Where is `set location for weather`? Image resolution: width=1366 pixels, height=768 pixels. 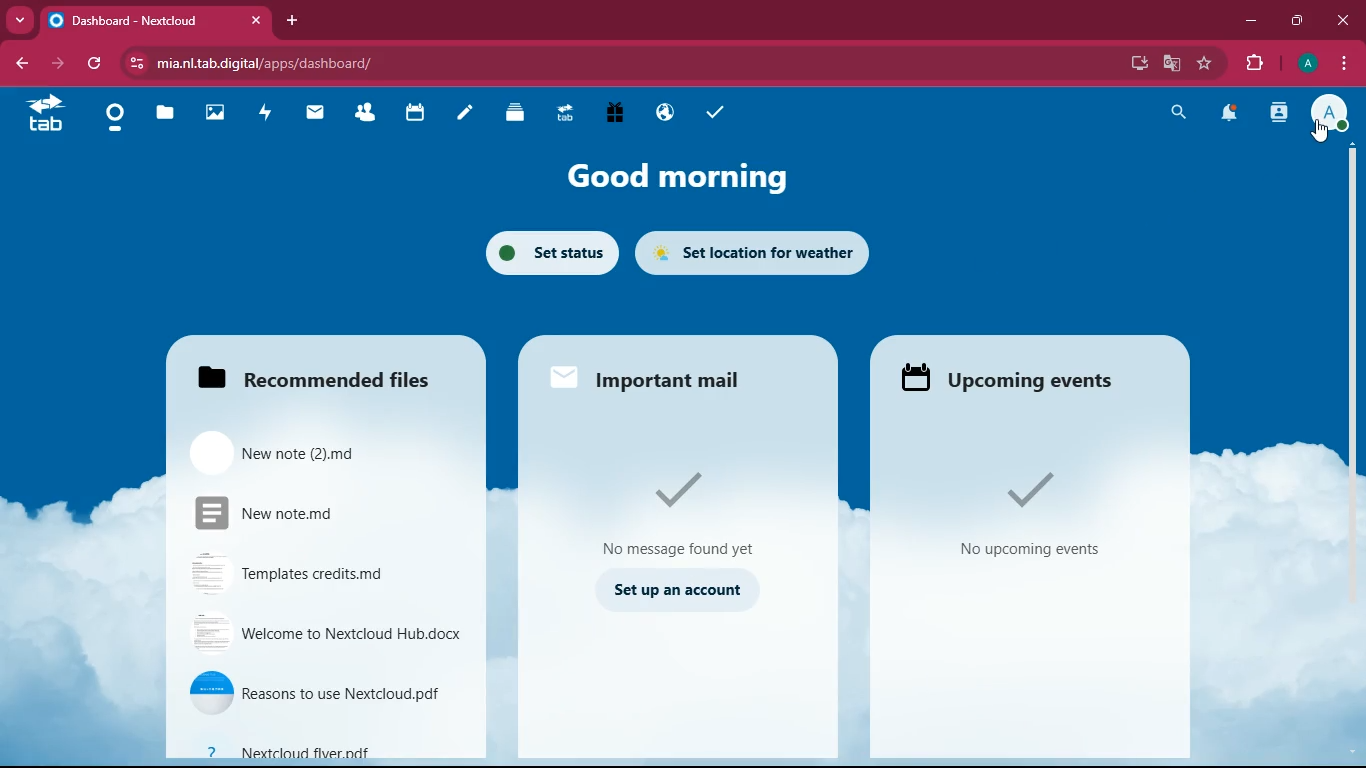
set location for weather is located at coordinates (759, 250).